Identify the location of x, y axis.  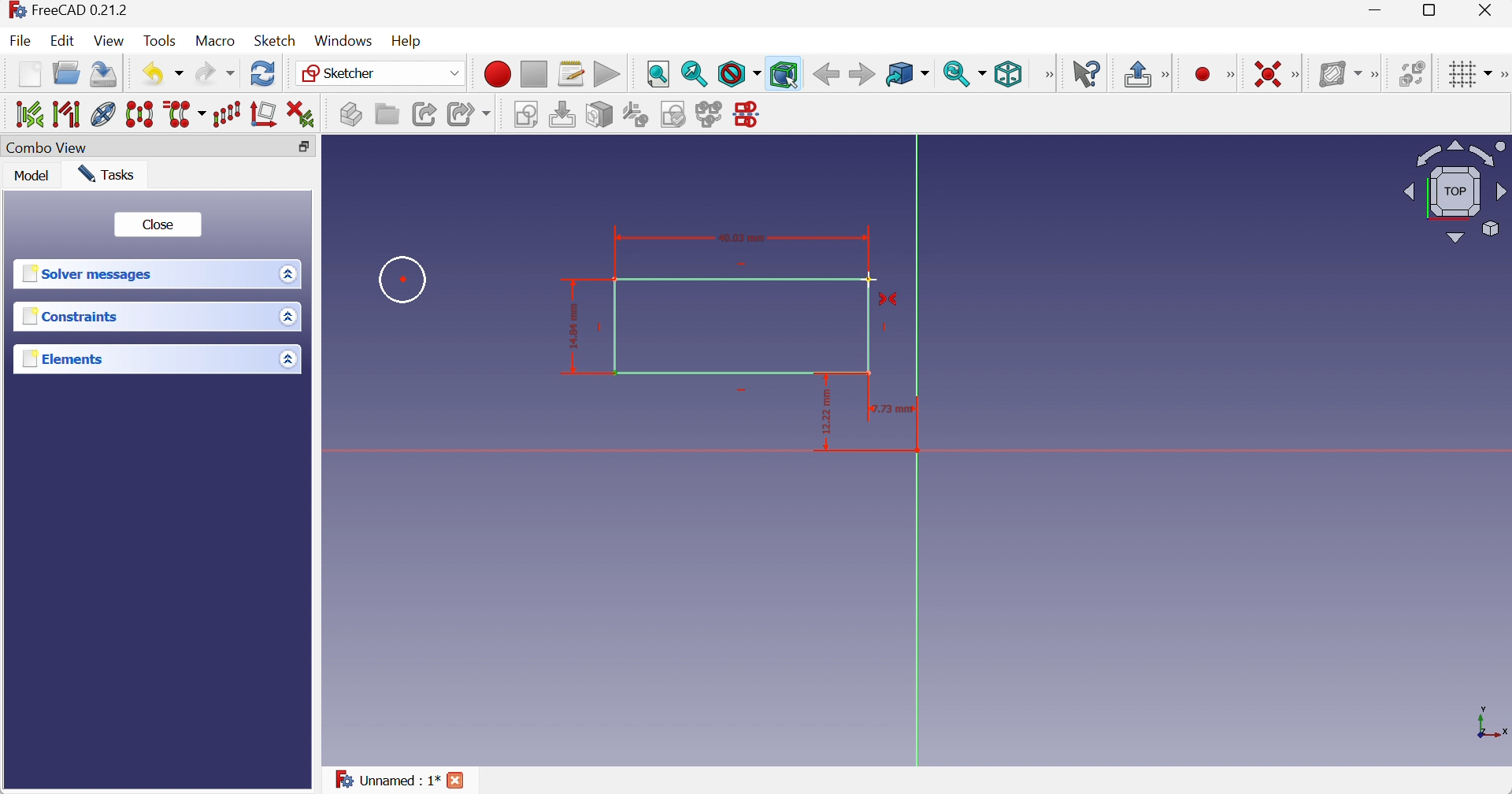
(1489, 721).